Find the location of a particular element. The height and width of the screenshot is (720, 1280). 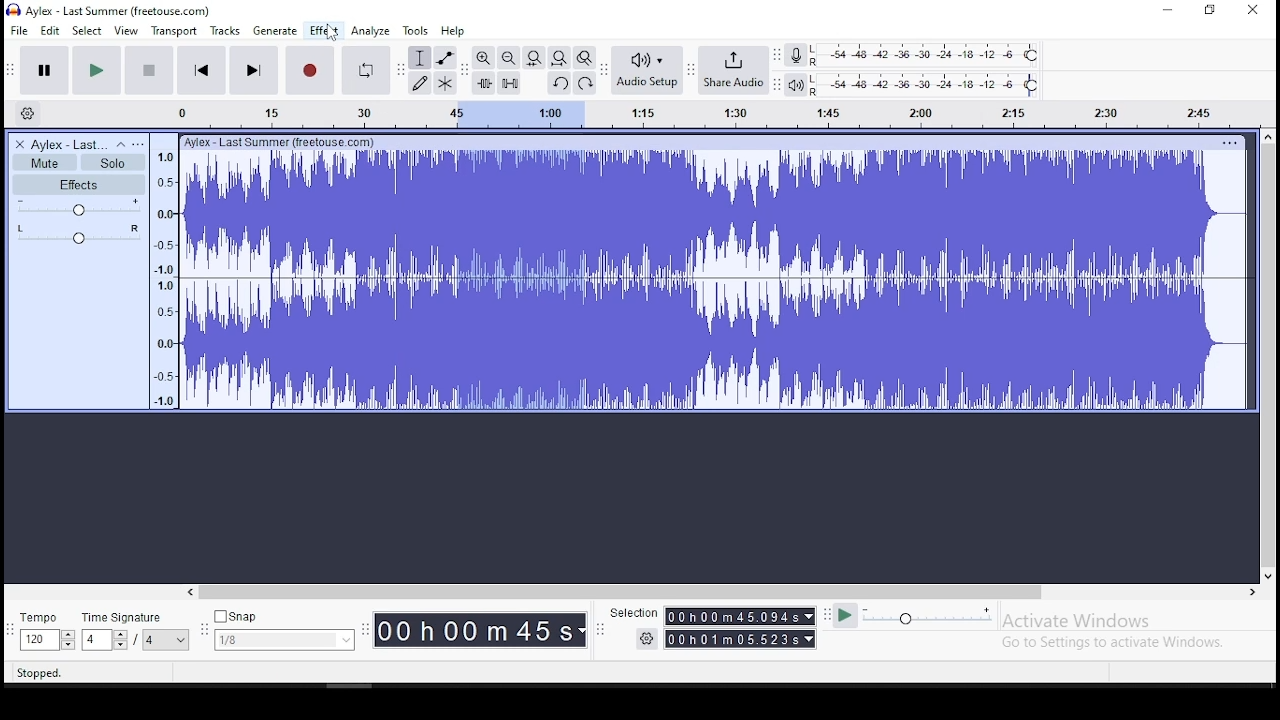

00h00m55.989s is located at coordinates (741, 616).